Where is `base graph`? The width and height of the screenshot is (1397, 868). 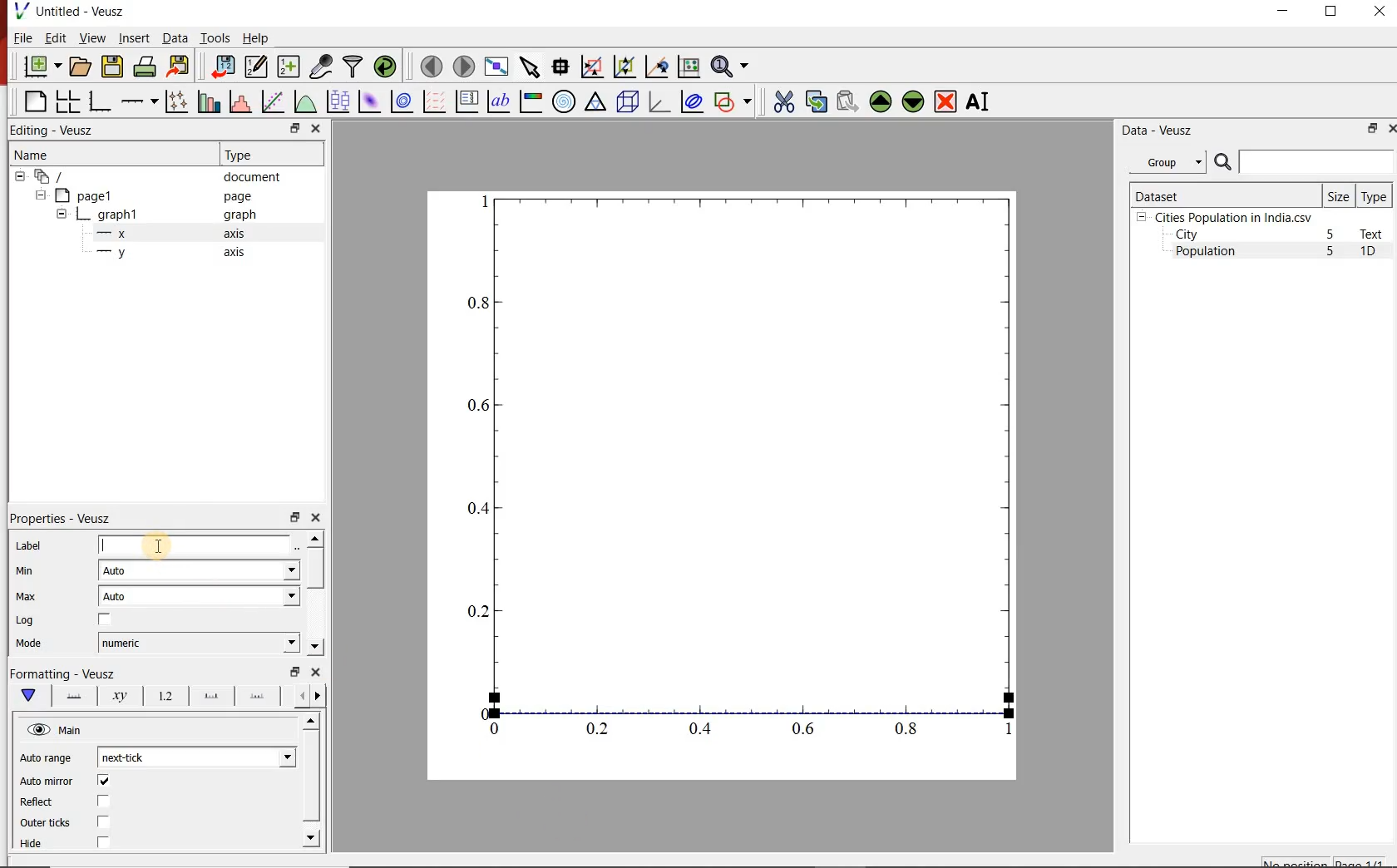
base graph is located at coordinates (98, 101).